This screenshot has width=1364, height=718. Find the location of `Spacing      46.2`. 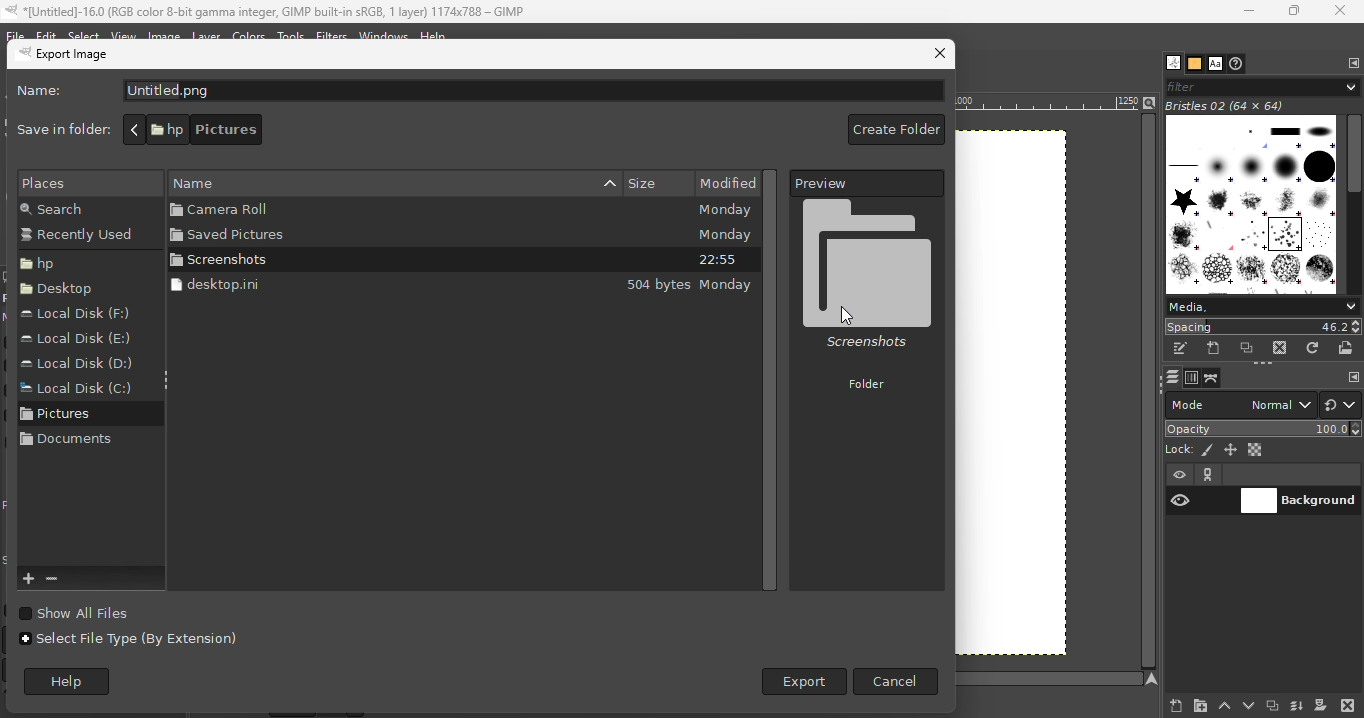

Spacing      46.2 is located at coordinates (1263, 326).